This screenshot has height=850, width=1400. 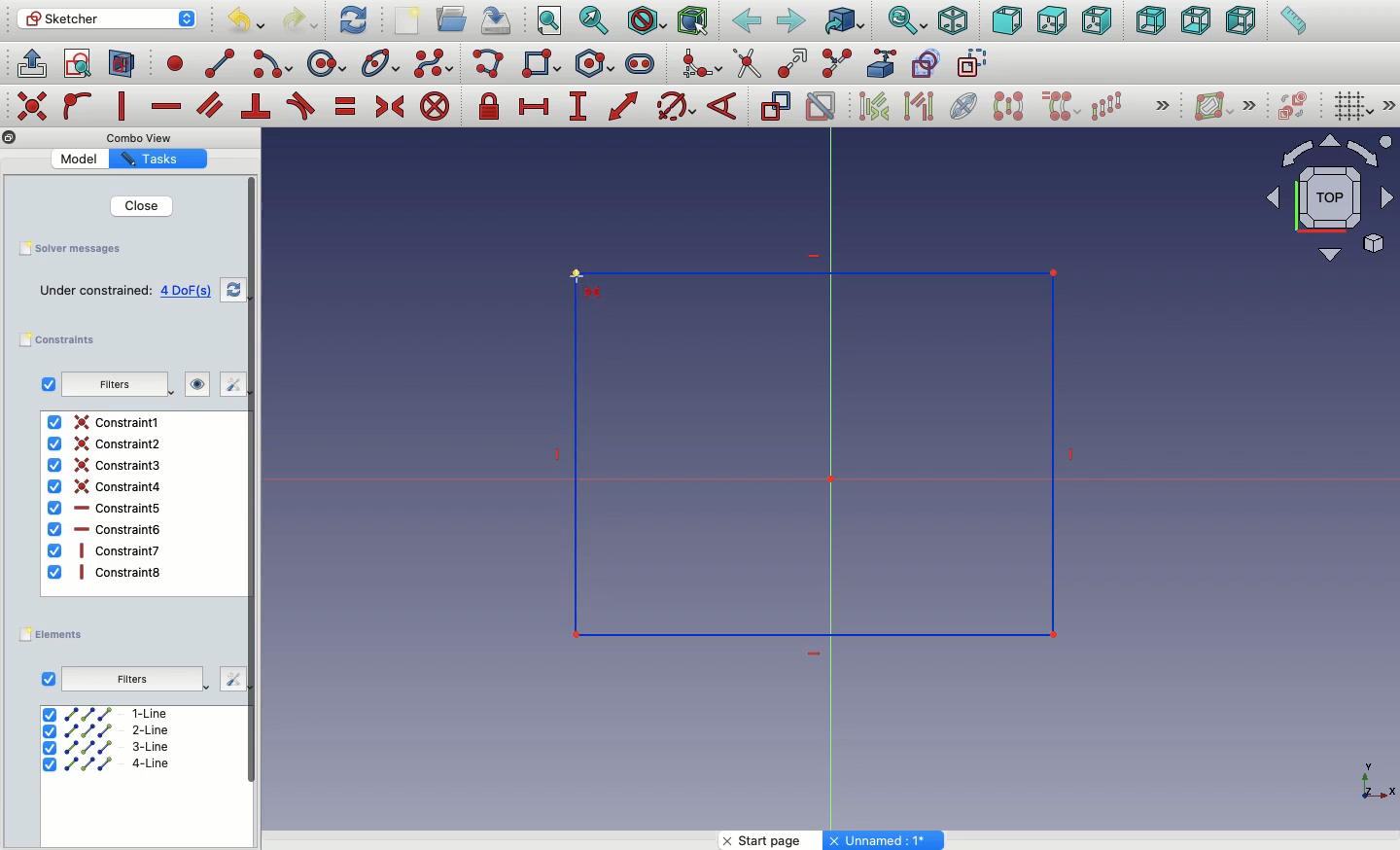 What do you see at coordinates (748, 21) in the screenshot?
I see `Back` at bounding box center [748, 21].